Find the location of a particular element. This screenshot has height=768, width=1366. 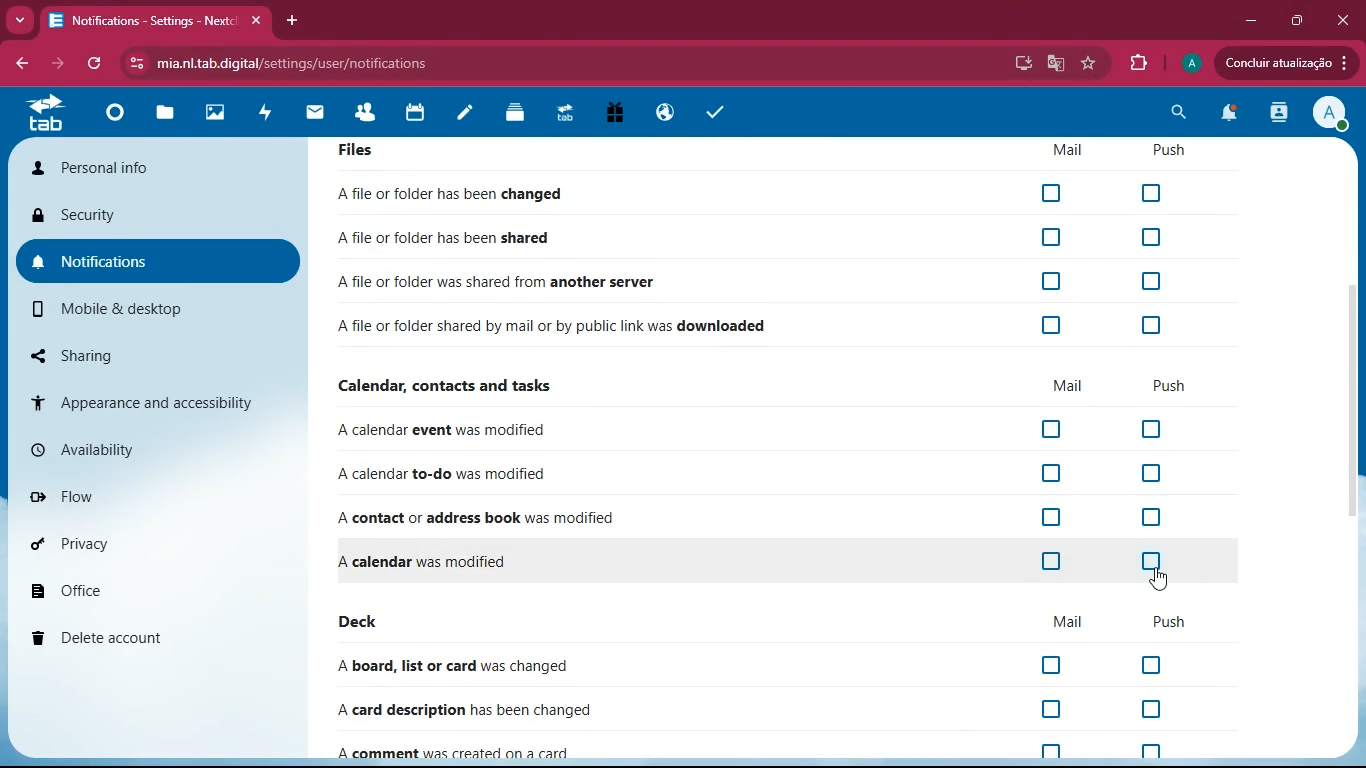

layers is located at coordinates (519, 113).